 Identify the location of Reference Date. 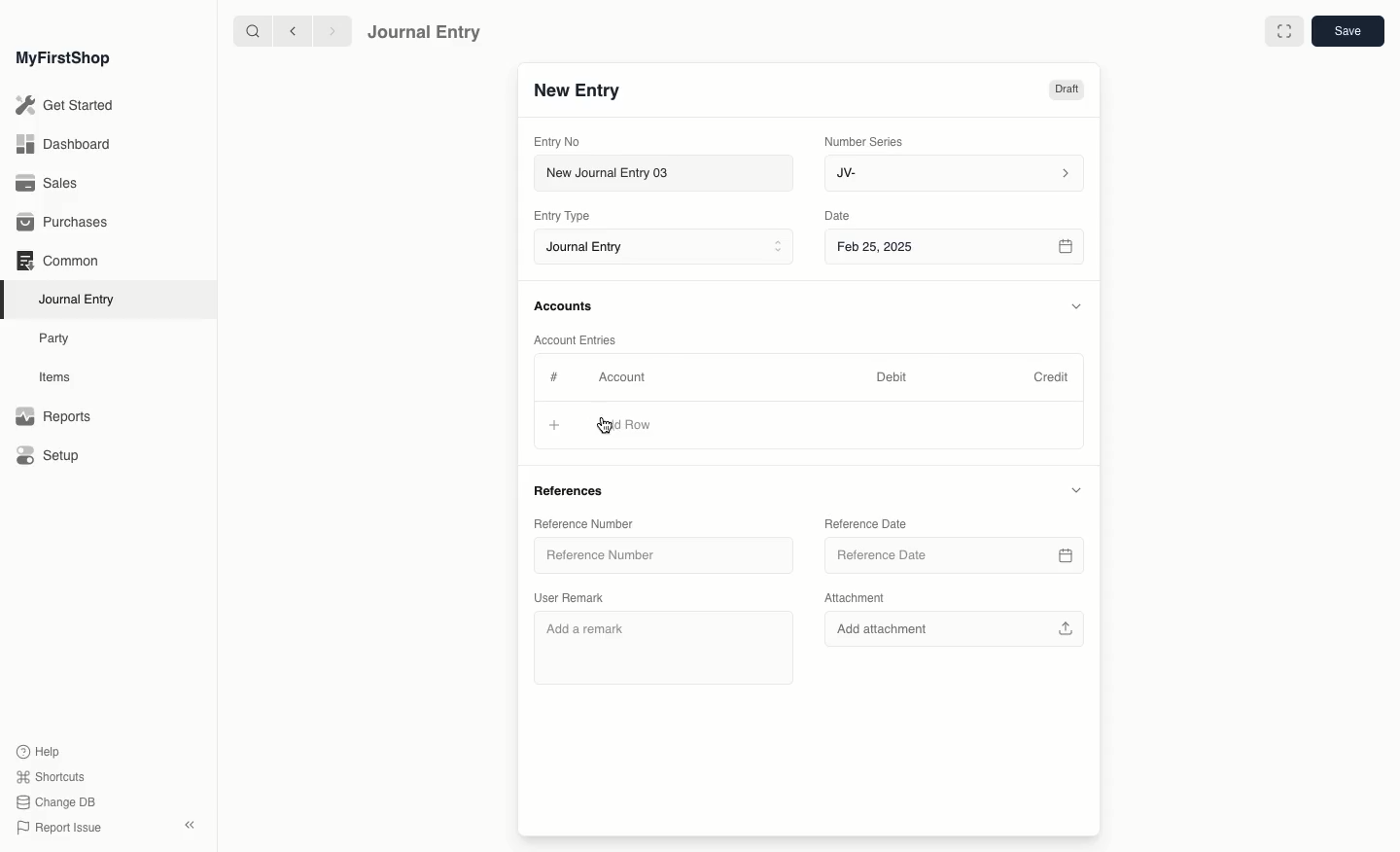
(866, 523).